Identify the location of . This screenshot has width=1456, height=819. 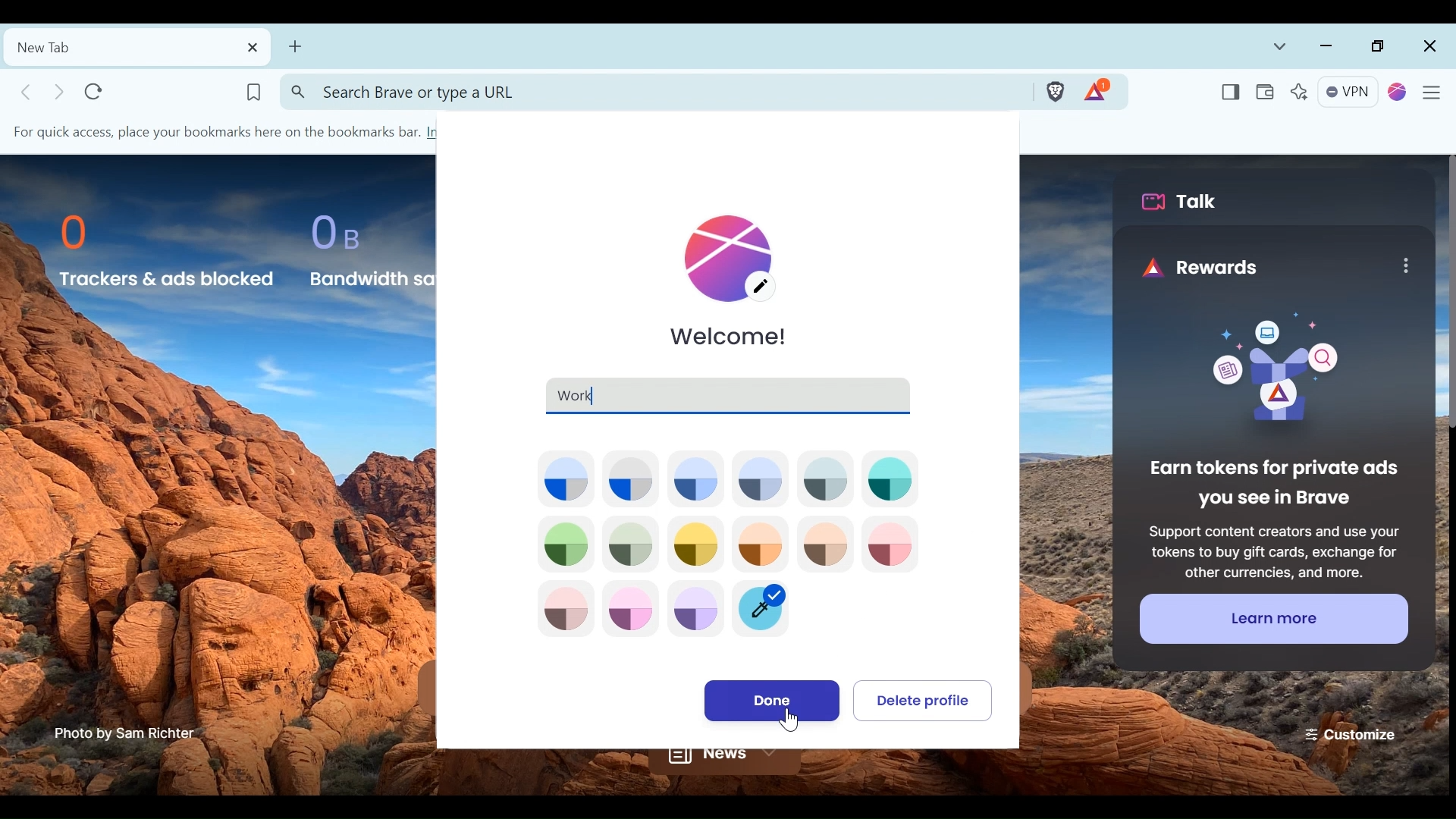
(791, 720).